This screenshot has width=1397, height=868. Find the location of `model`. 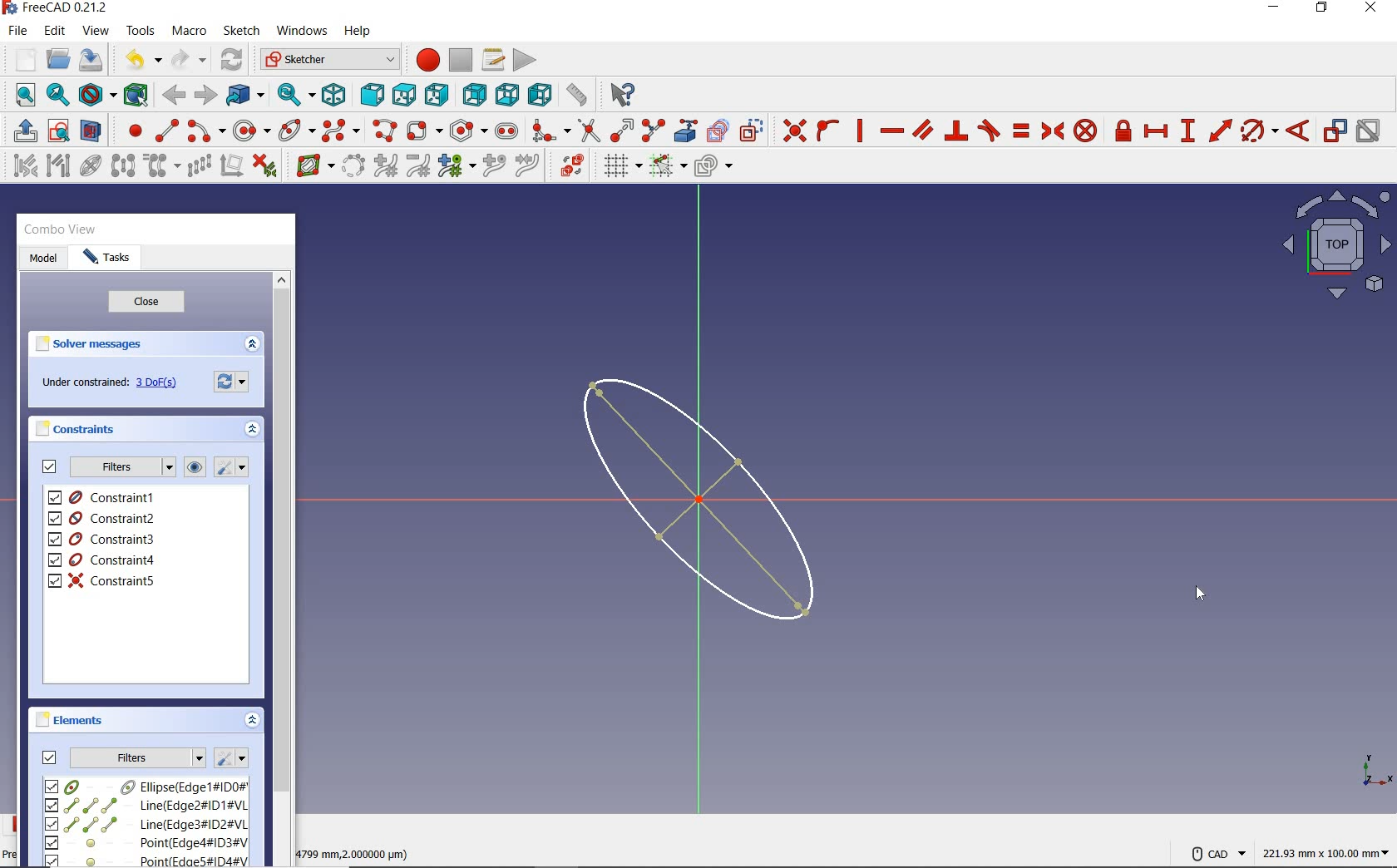

model is located at coordinates (43, 259).